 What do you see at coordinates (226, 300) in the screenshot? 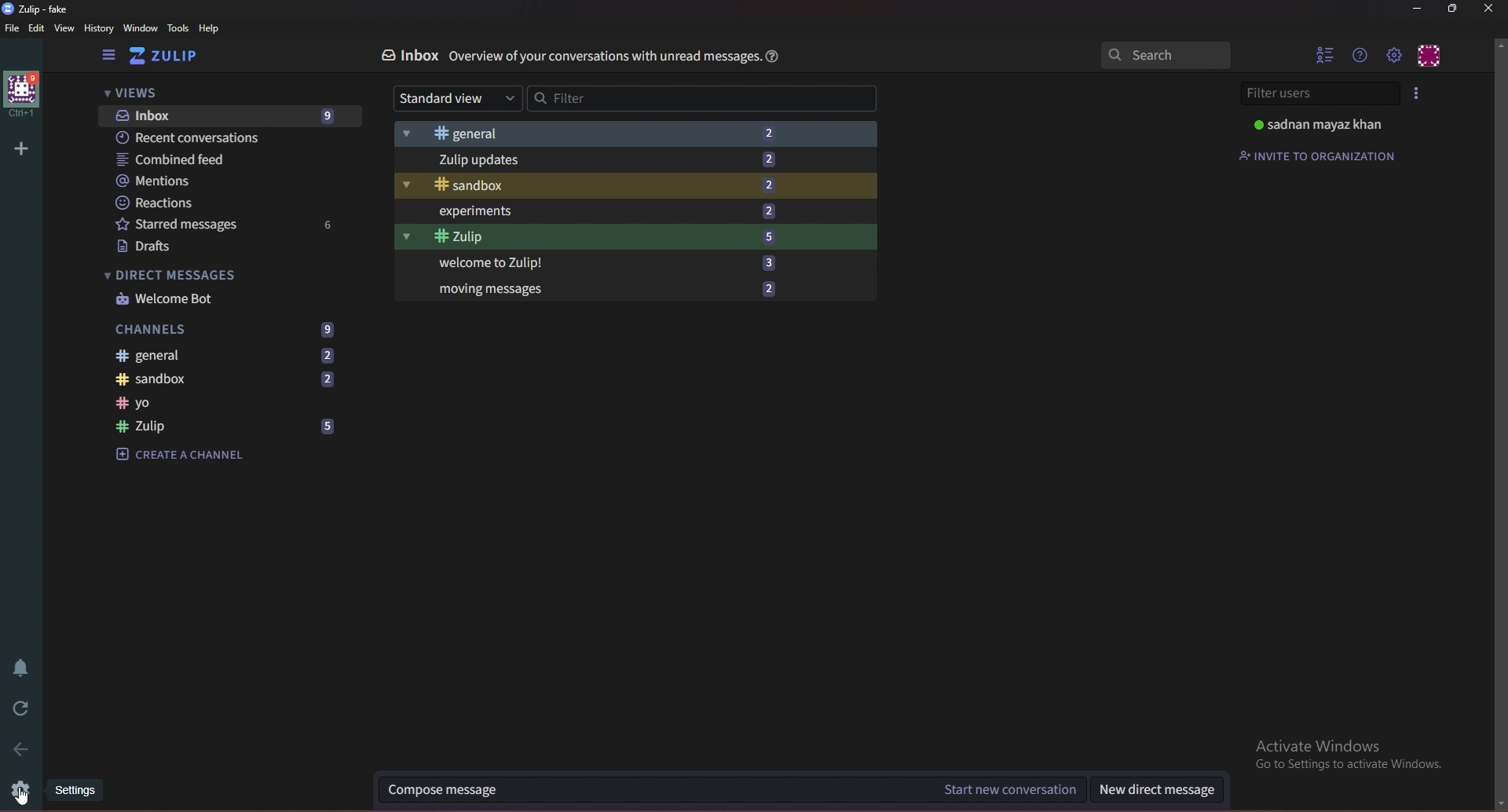
I see `welcome bot` at bounding box center [226, 300].